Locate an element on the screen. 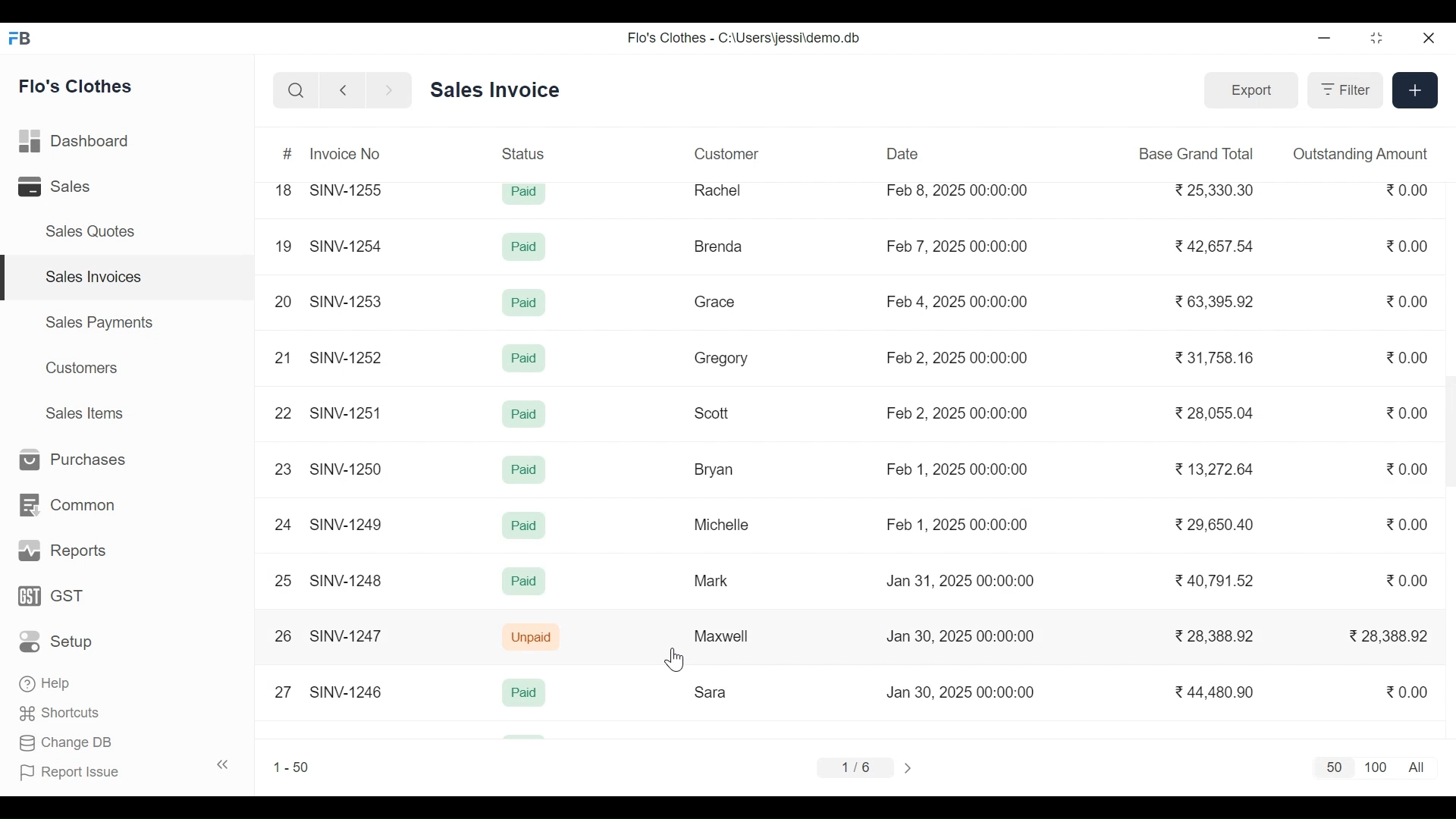 The width and height of the screenshot is (1456, 819). SINV-1251 is located at coordinates (347, 413).